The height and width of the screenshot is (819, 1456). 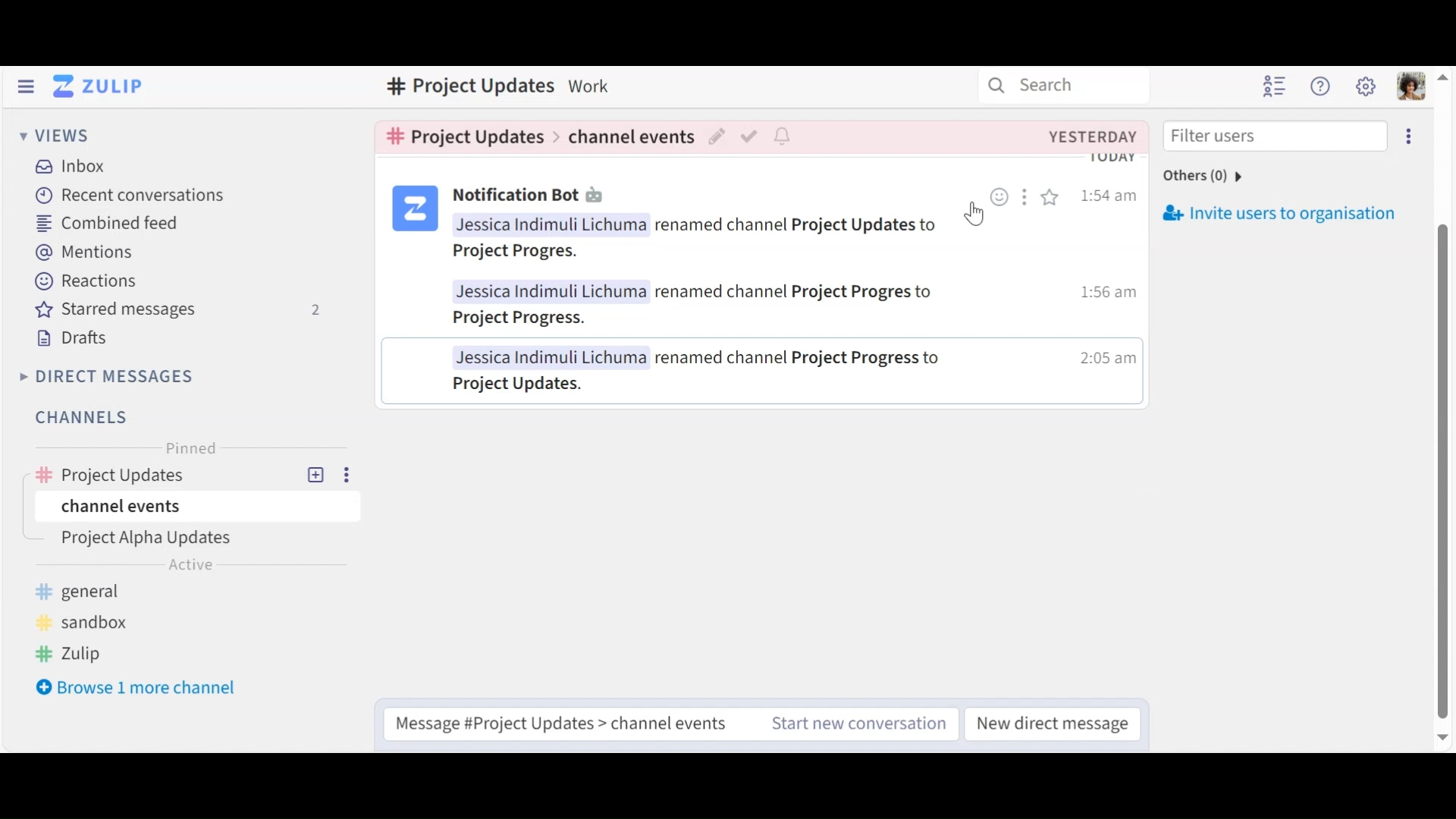 I want to click on Invite users to organisation, so click(x=1284, y=214).